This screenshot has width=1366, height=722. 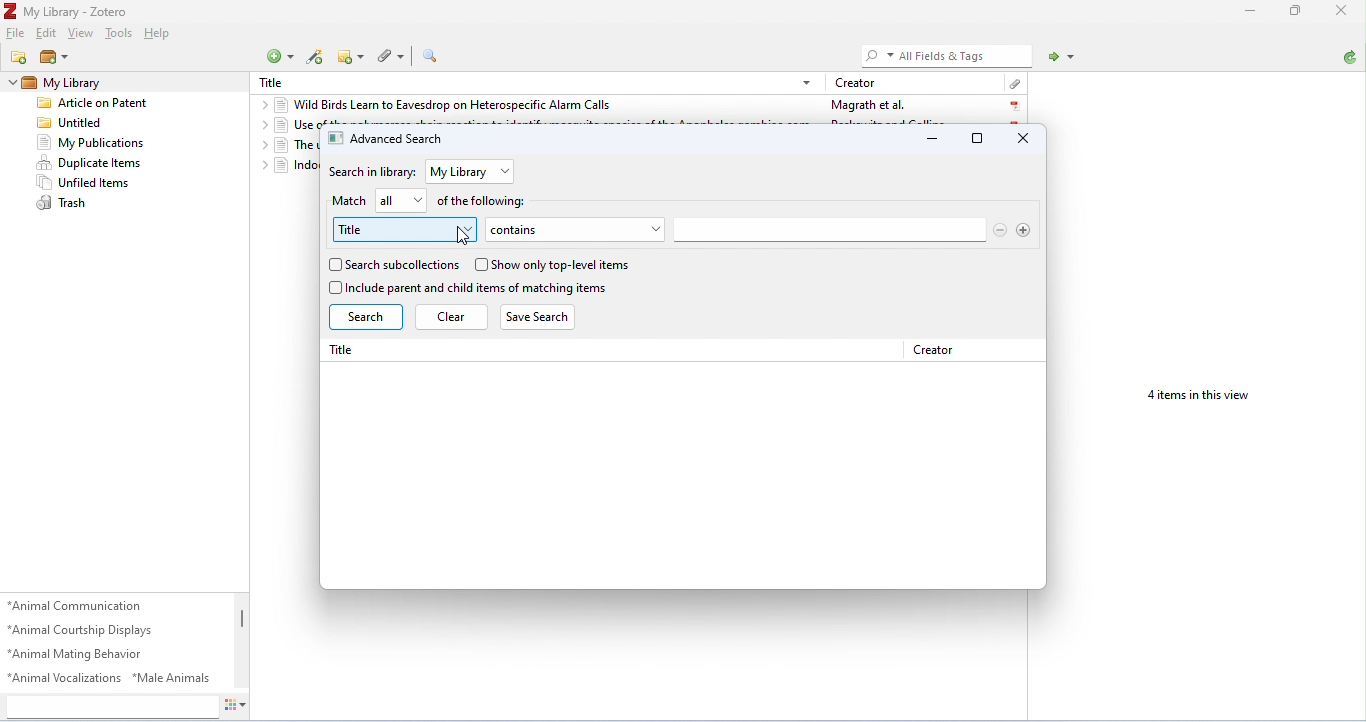 What do you see at coordinates (234, 704) in the screenshot?
I see `actions` at bounding box center [234, 704].